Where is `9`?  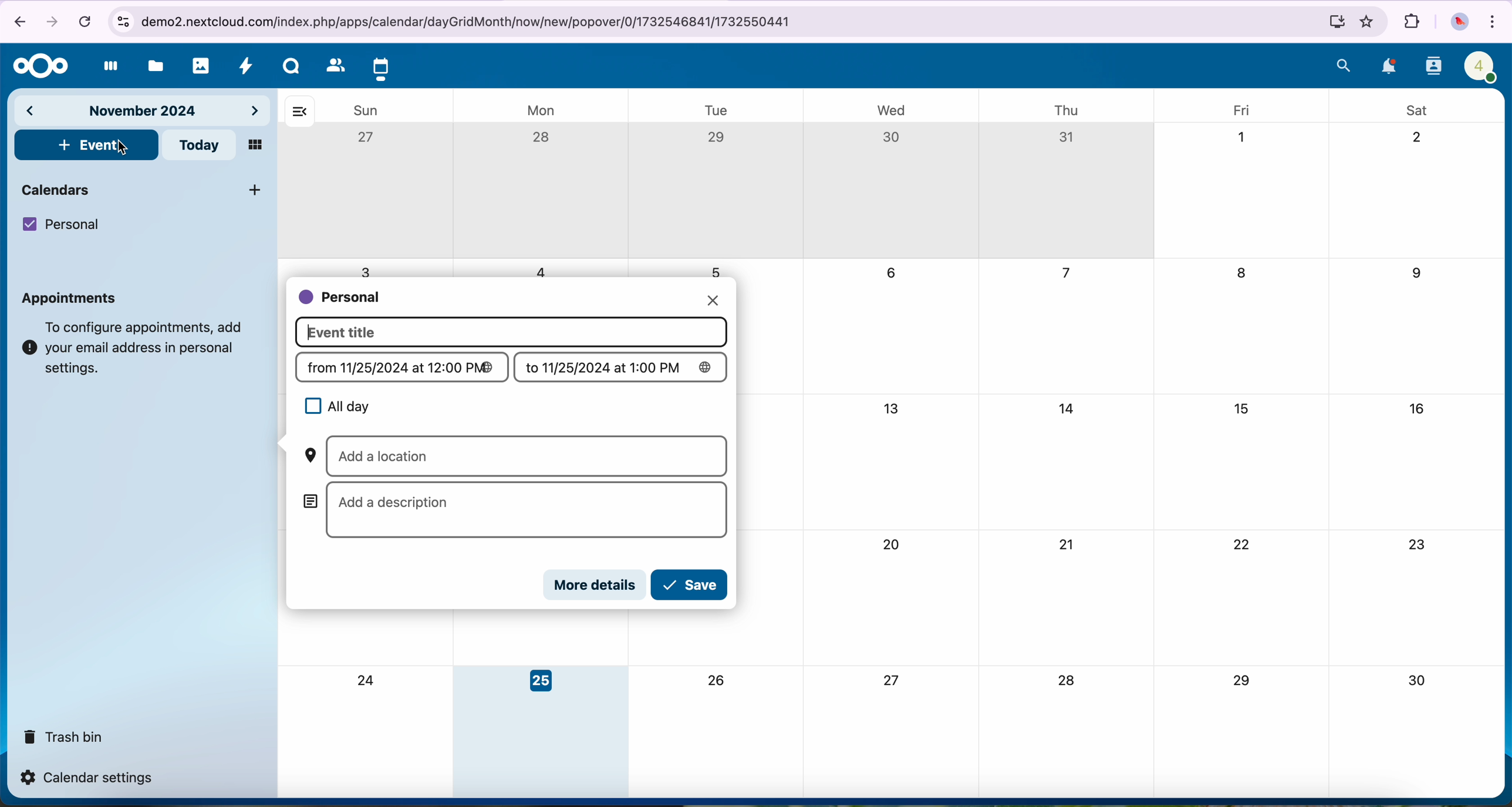 9 is located at coordinates (1415, 274).